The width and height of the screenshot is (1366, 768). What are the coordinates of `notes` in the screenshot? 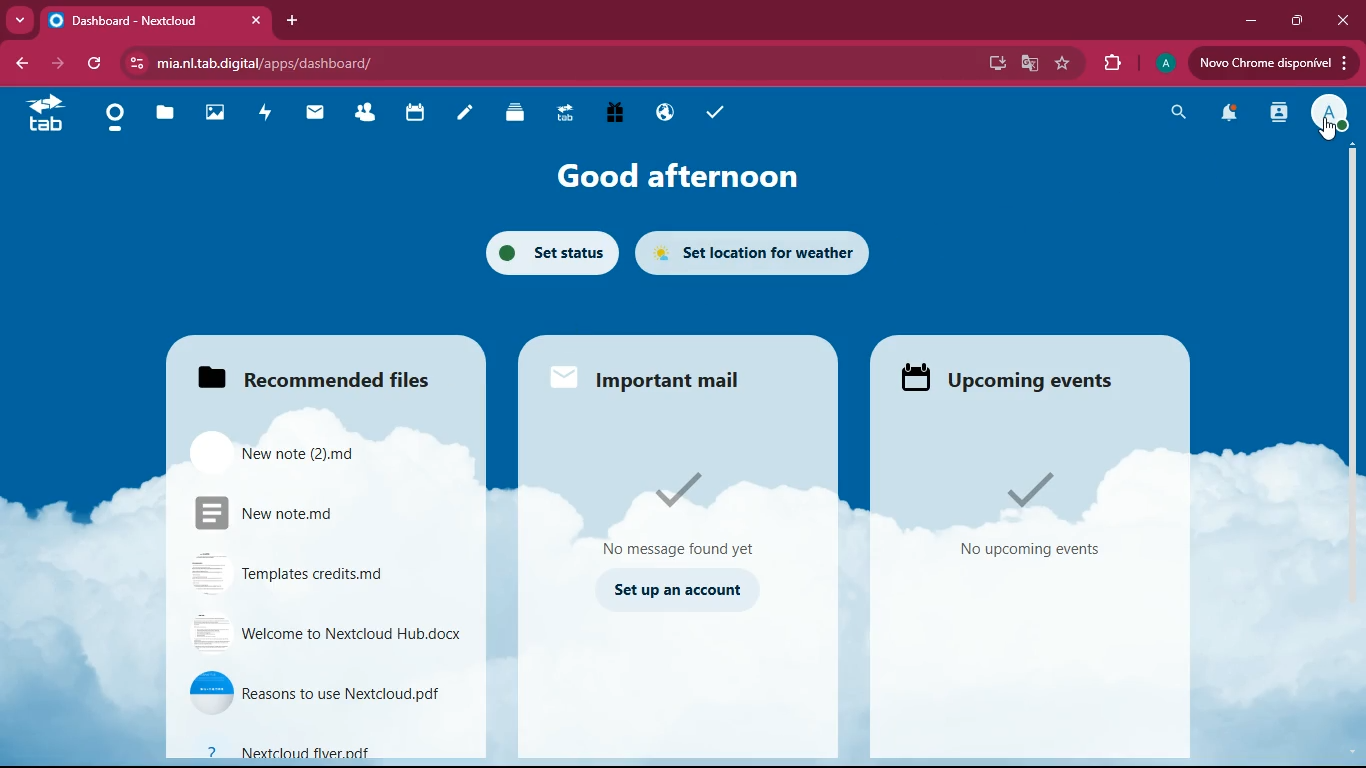 It's located at (459, 115).